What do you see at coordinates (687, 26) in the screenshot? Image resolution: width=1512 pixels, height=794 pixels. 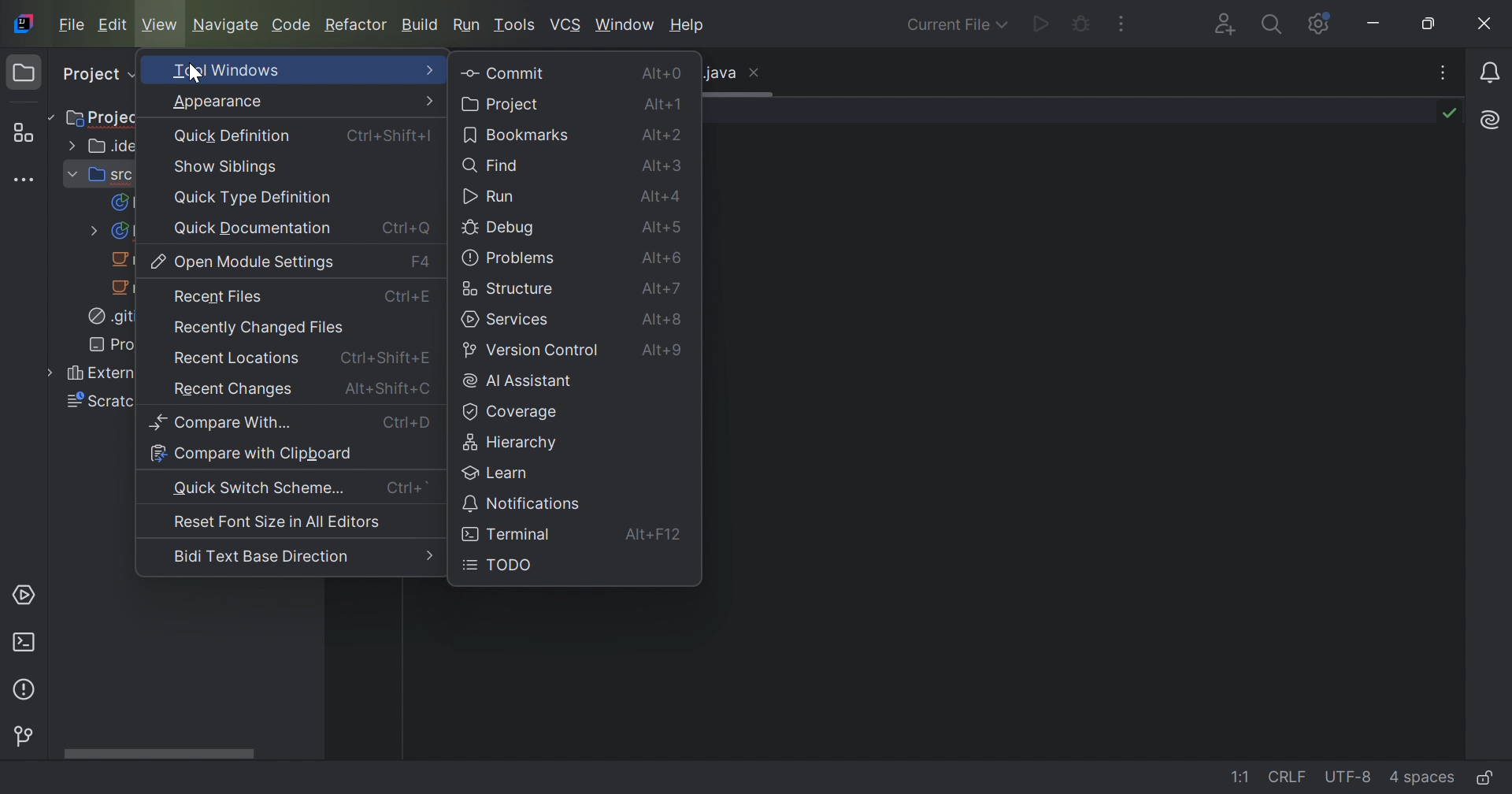 I see `Help` at bounding box center [687, 26].